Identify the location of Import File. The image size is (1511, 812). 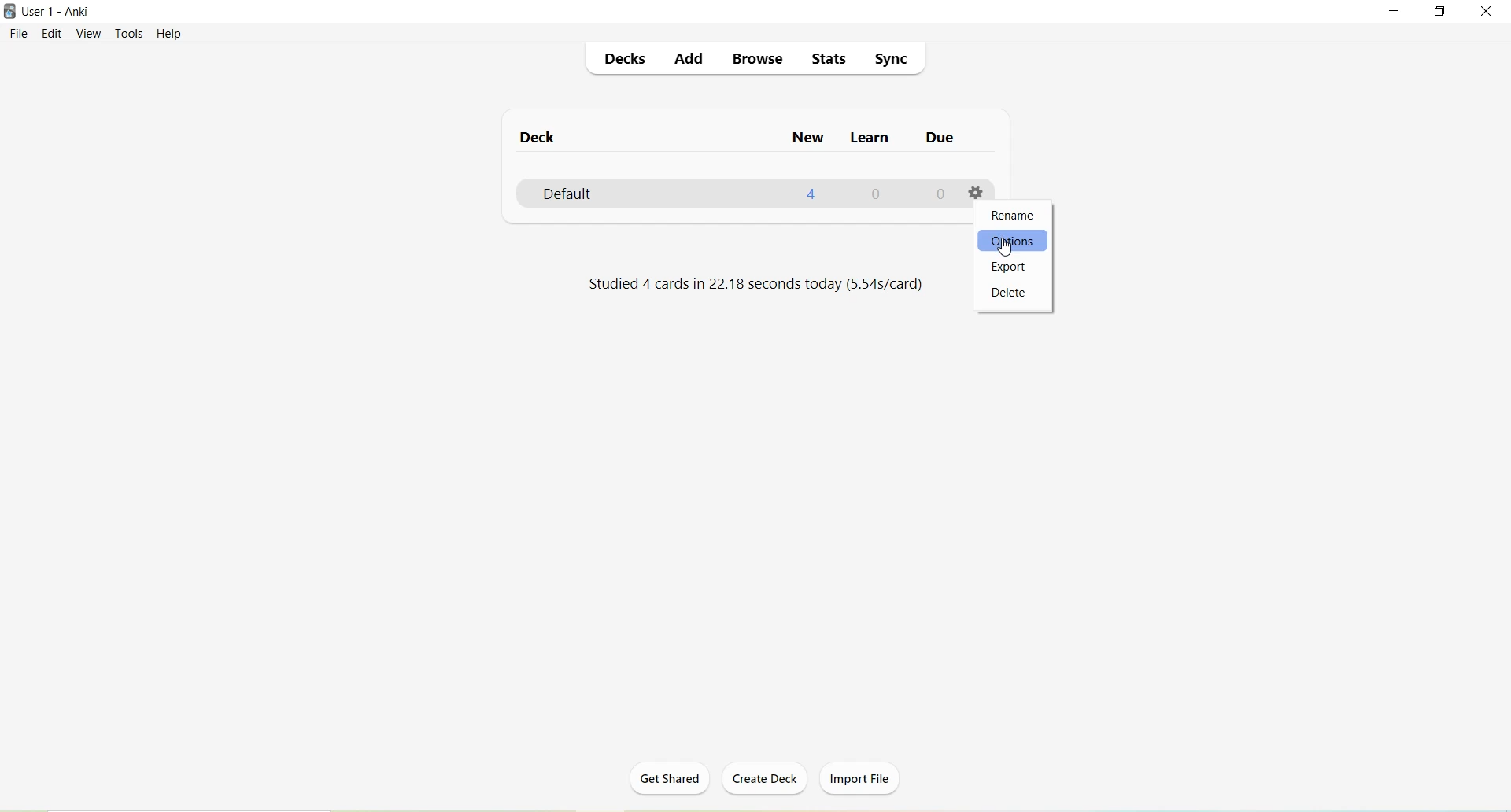
(859, 779).